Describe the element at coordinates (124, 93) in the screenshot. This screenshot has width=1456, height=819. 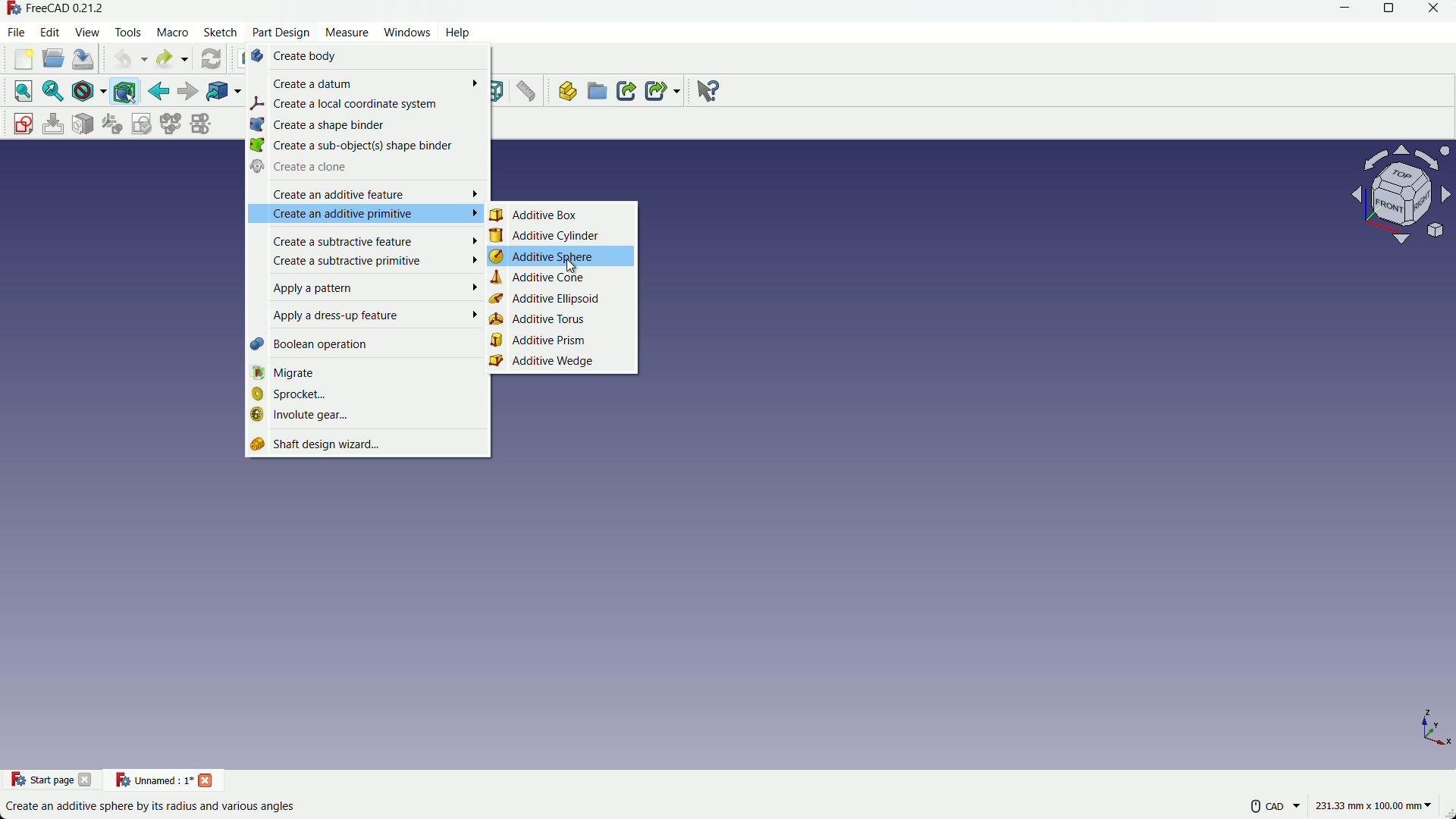
I see `bounding box` at that location.